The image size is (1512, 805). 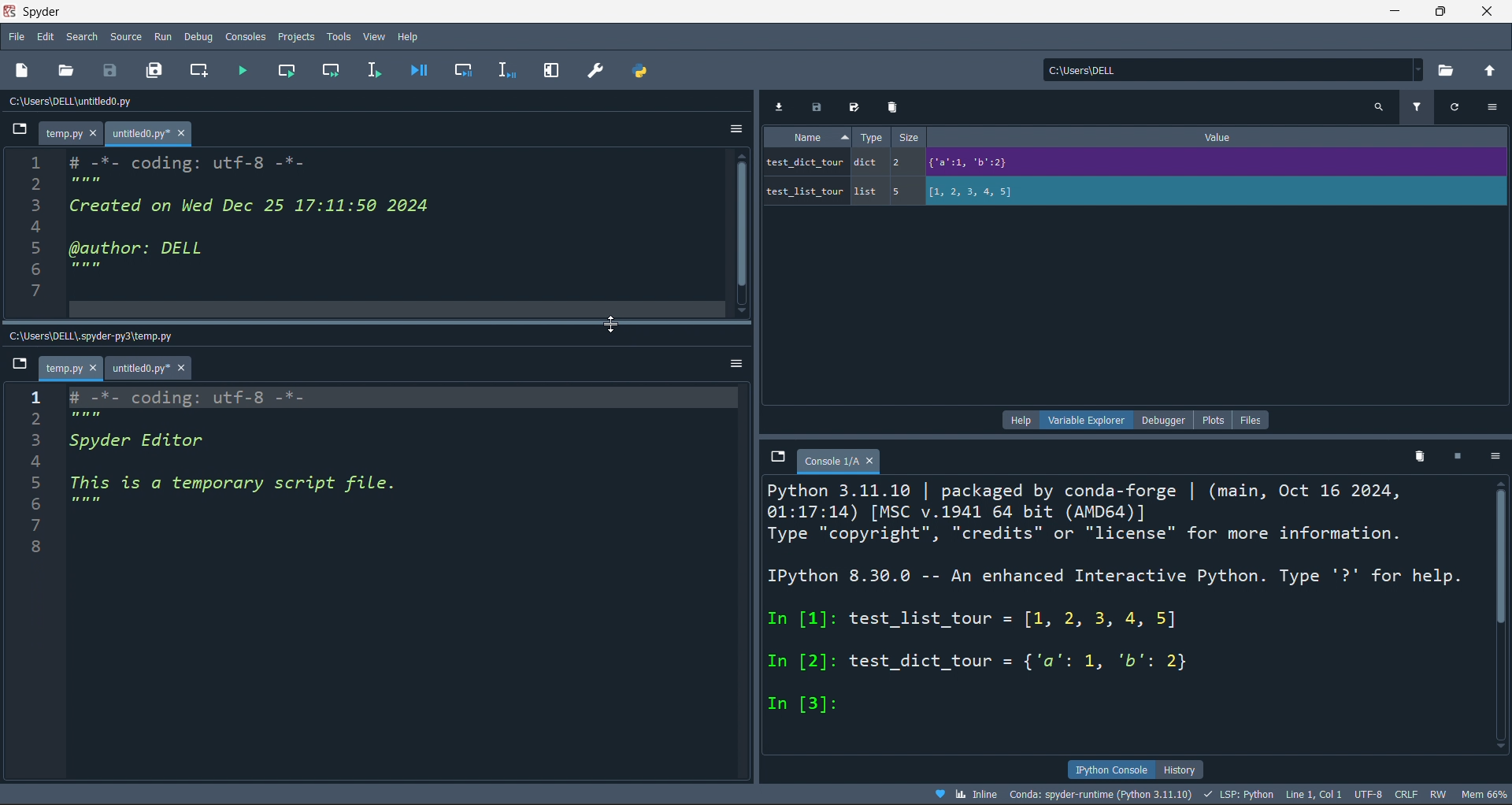 I want to click on Line 1, Col 1  UTF-8, so click(x=1336, y=794).